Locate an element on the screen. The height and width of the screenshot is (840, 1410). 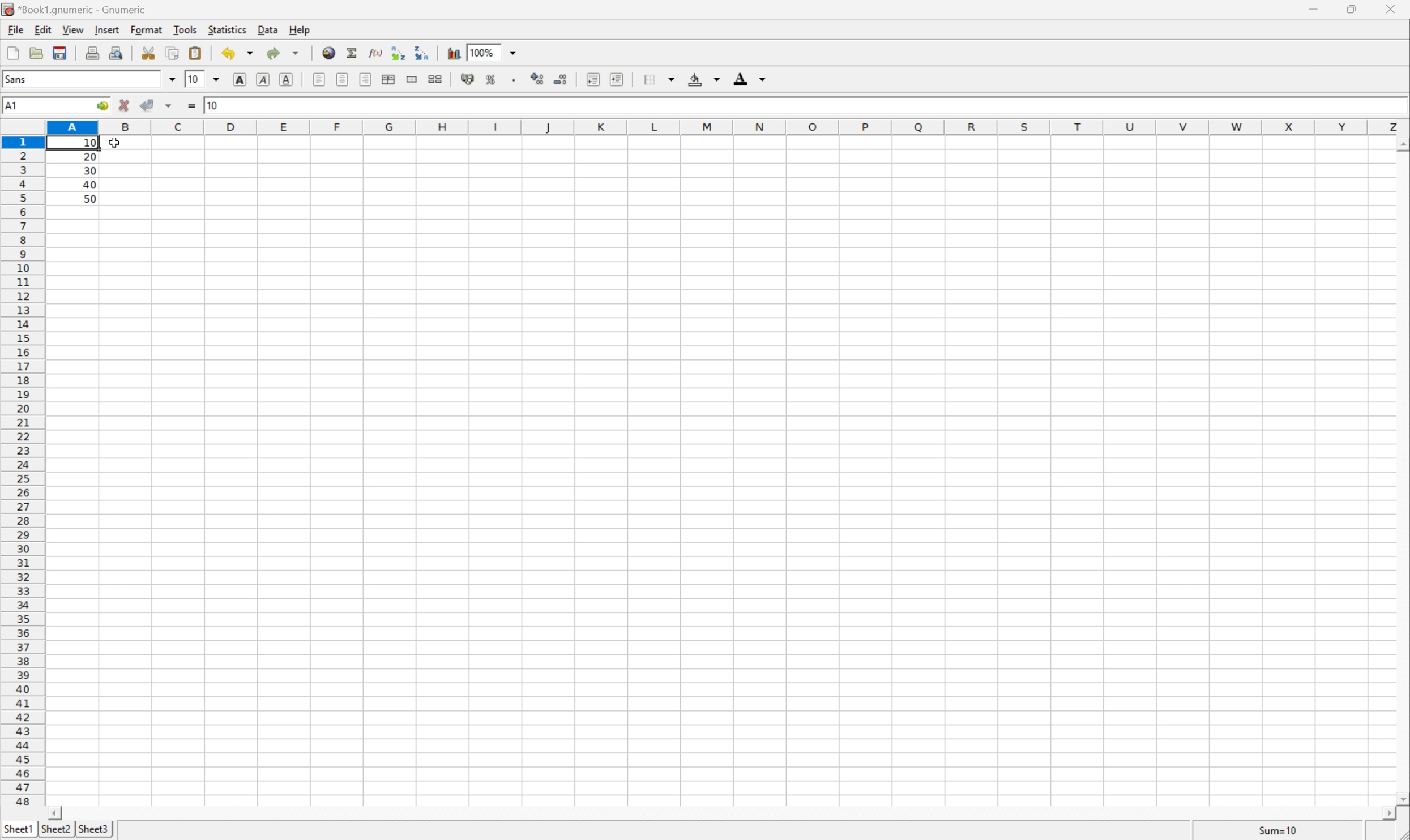
Split the ranges of merged cells is located at coordinates (435, 79).